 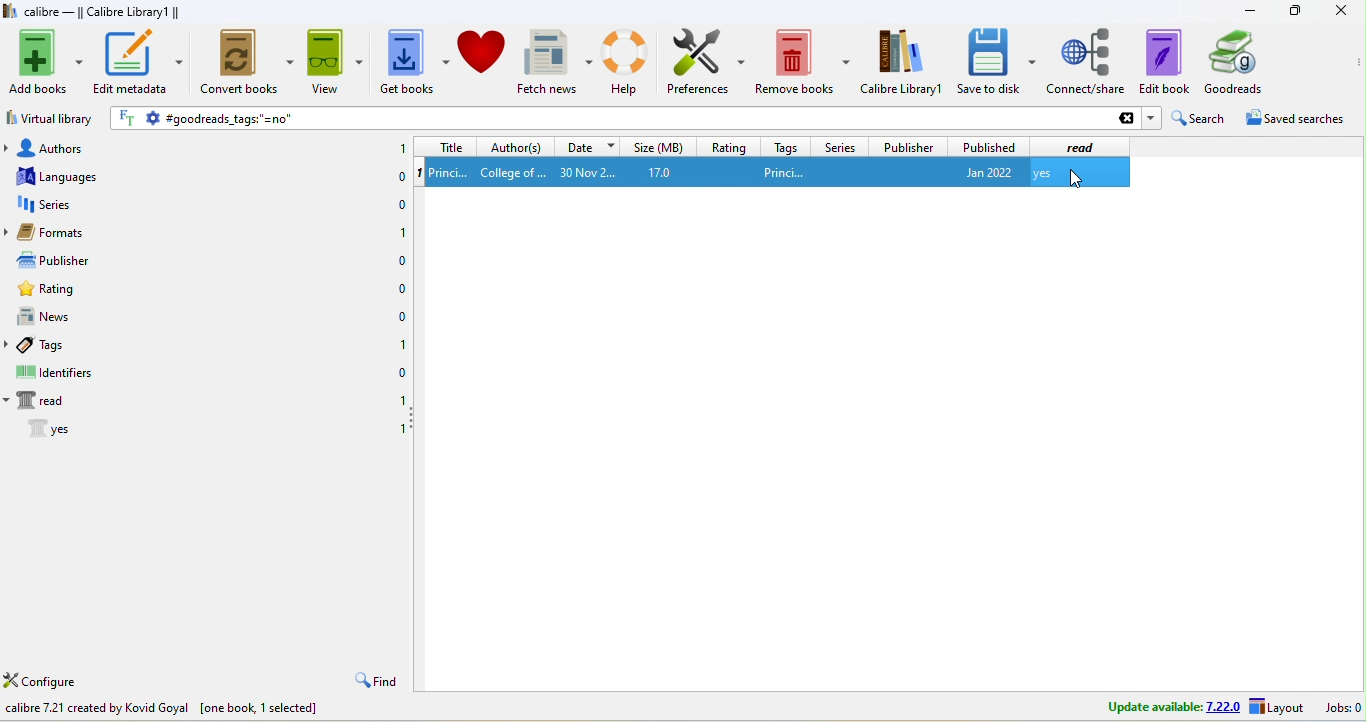 I want to click on remove books, so click(x=802, y=61).